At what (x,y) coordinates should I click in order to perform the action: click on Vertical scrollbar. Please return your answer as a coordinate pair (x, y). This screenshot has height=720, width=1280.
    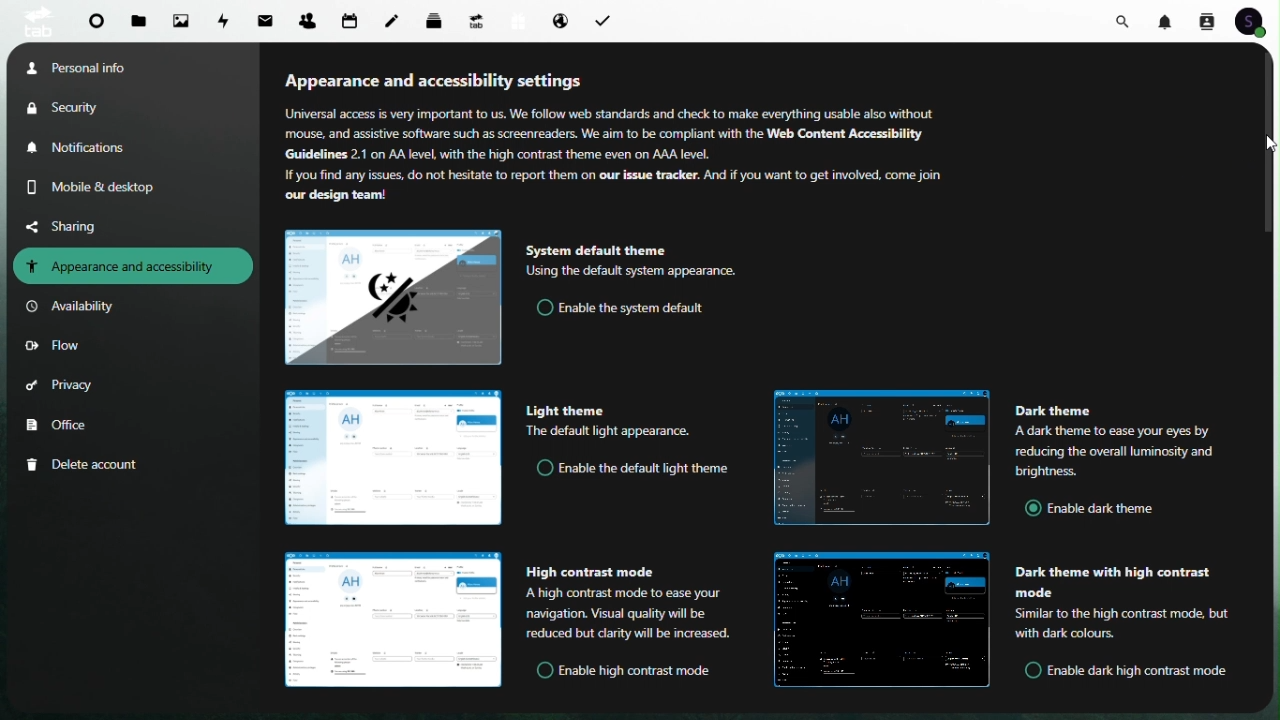
    Looking at the image, I should click on (1272, 138).